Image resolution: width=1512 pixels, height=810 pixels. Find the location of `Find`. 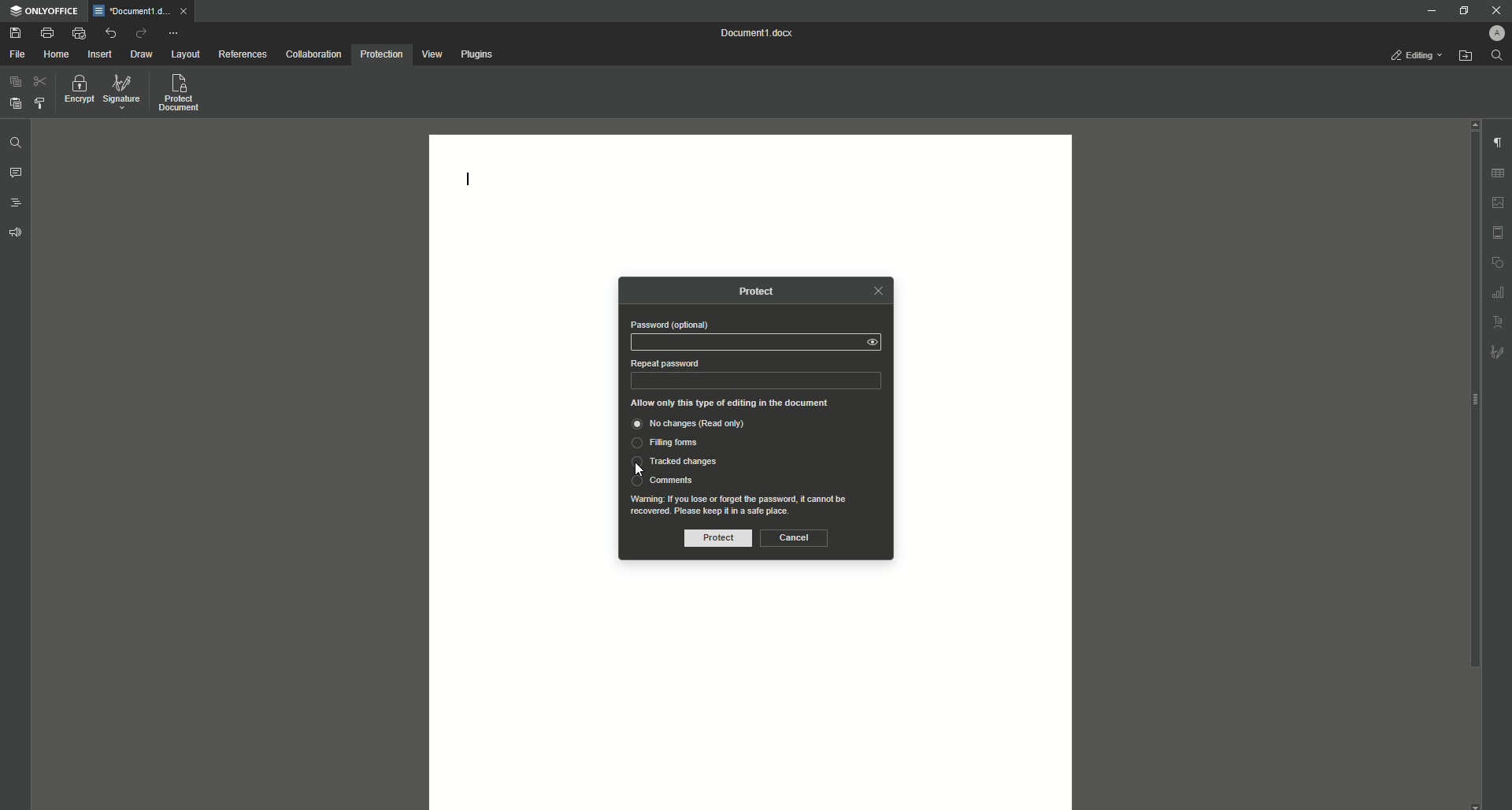

Find is located at coordinates (1499, 55).